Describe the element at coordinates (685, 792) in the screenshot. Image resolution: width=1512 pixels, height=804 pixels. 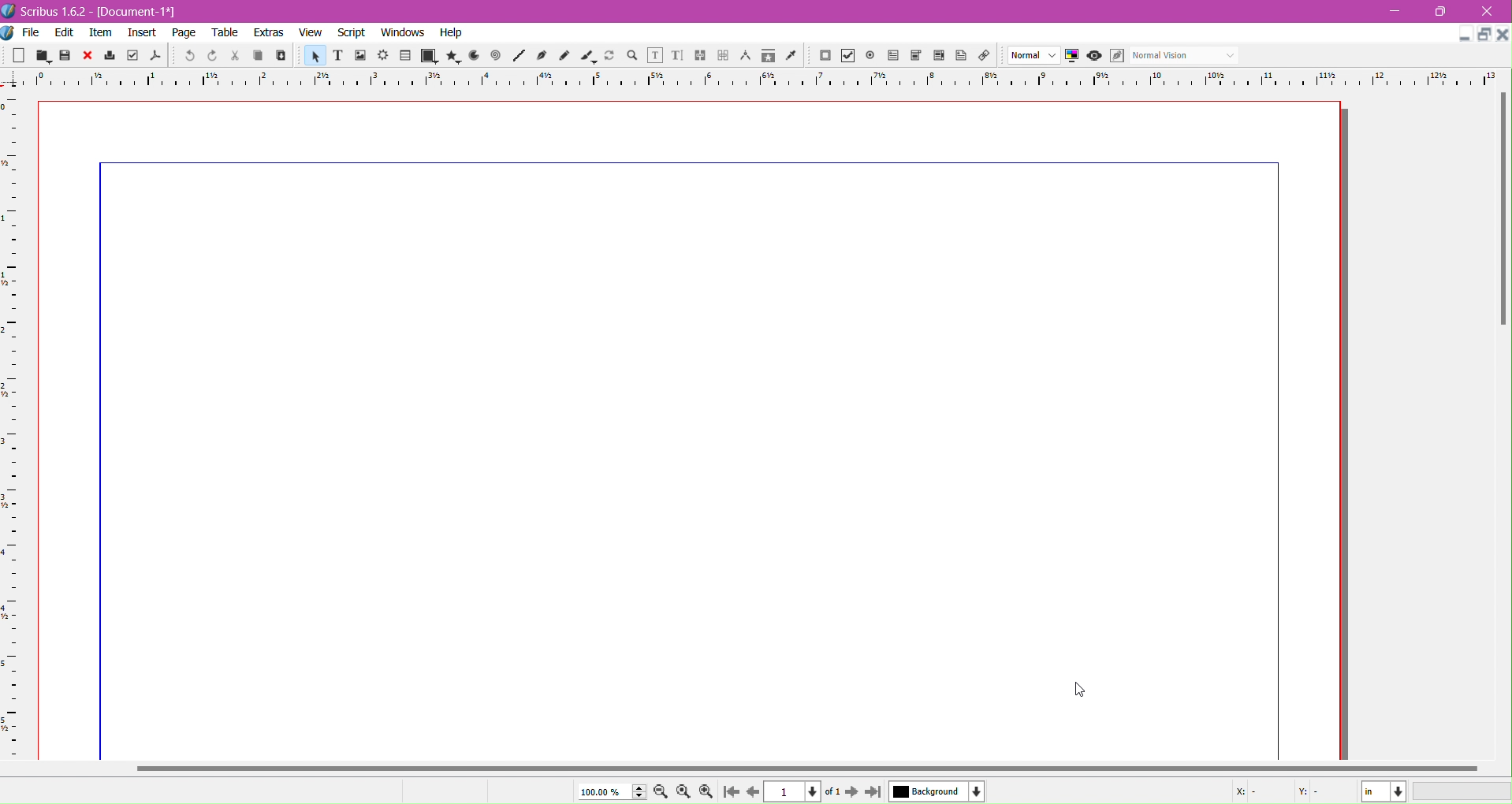
I see `zoom to 100%` at that location.